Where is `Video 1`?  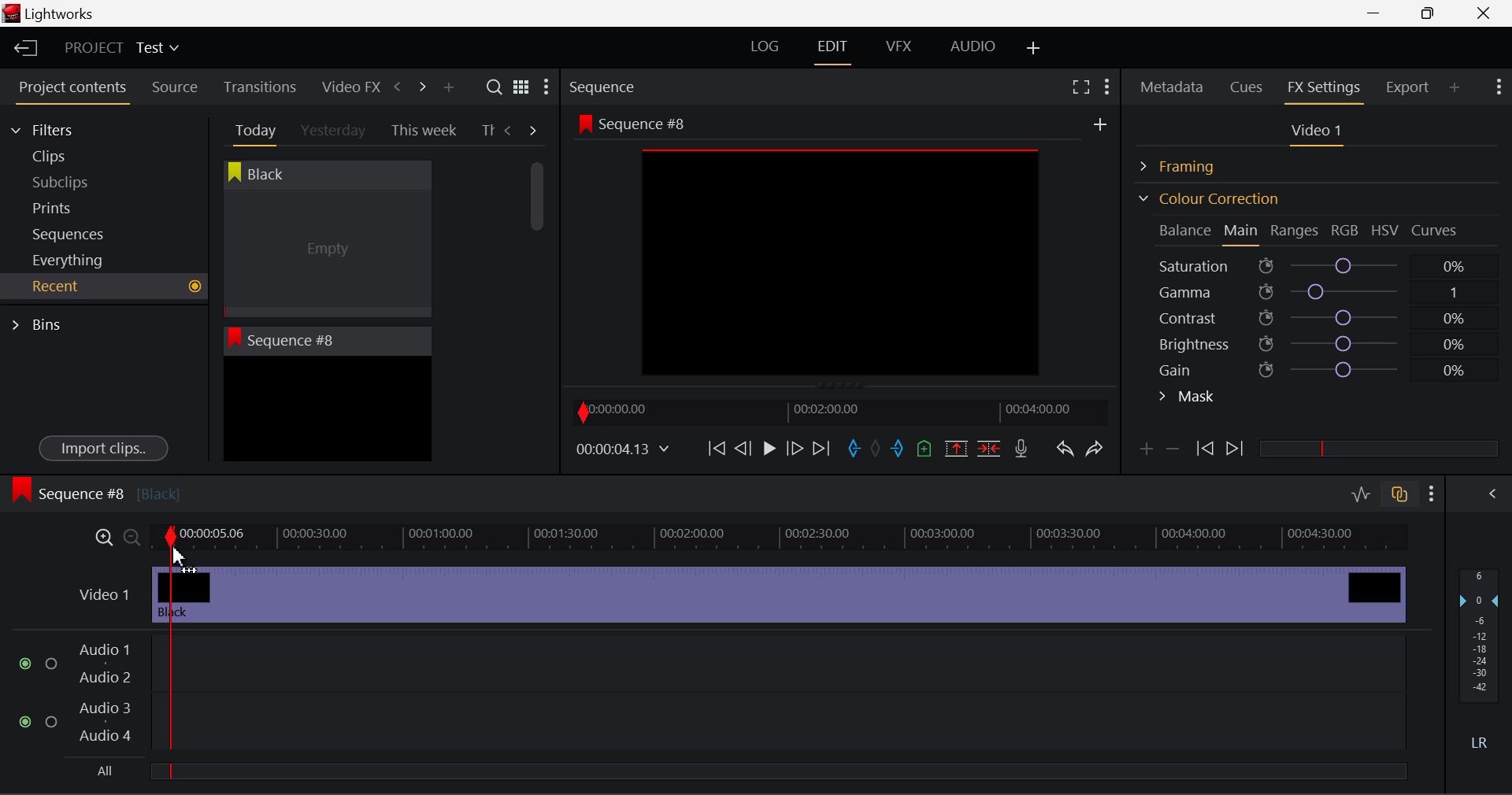
Video 1 is located at coordinates (105, 597).